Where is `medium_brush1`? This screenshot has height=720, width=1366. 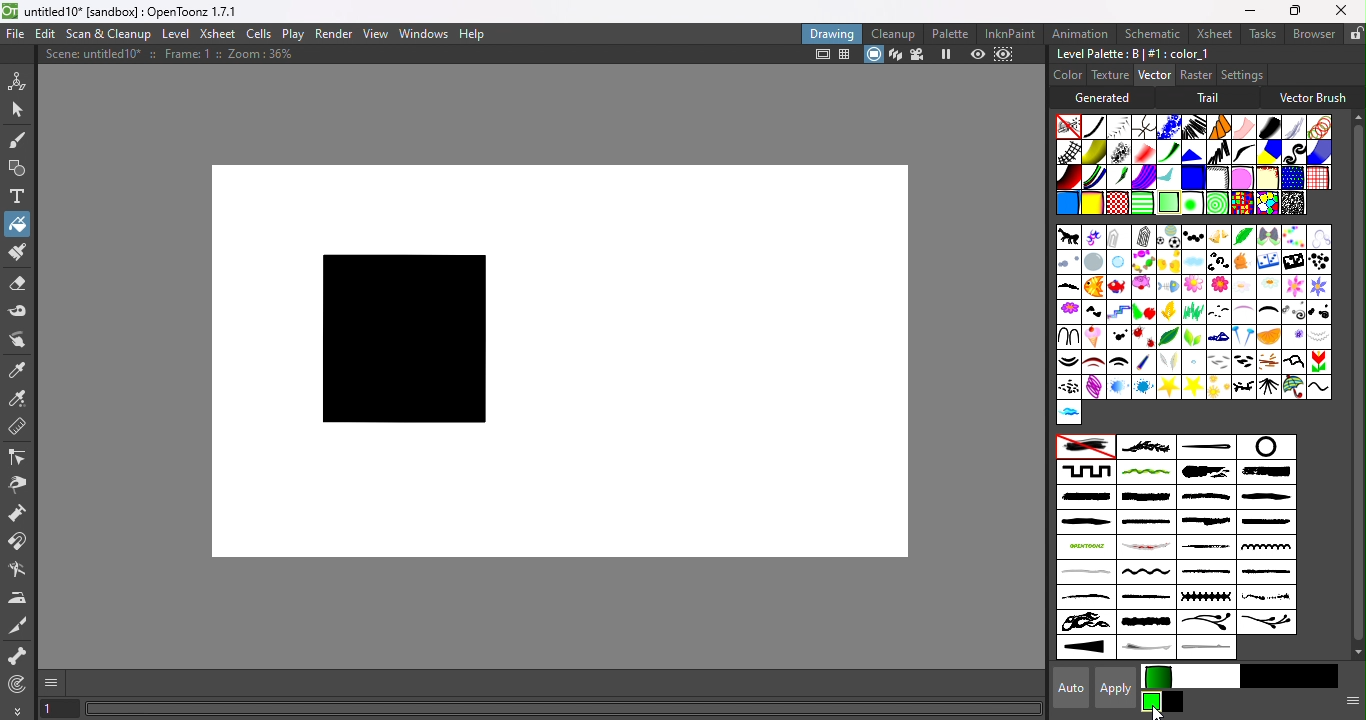 medium_brush1 is located at coordinates (1204, 497).